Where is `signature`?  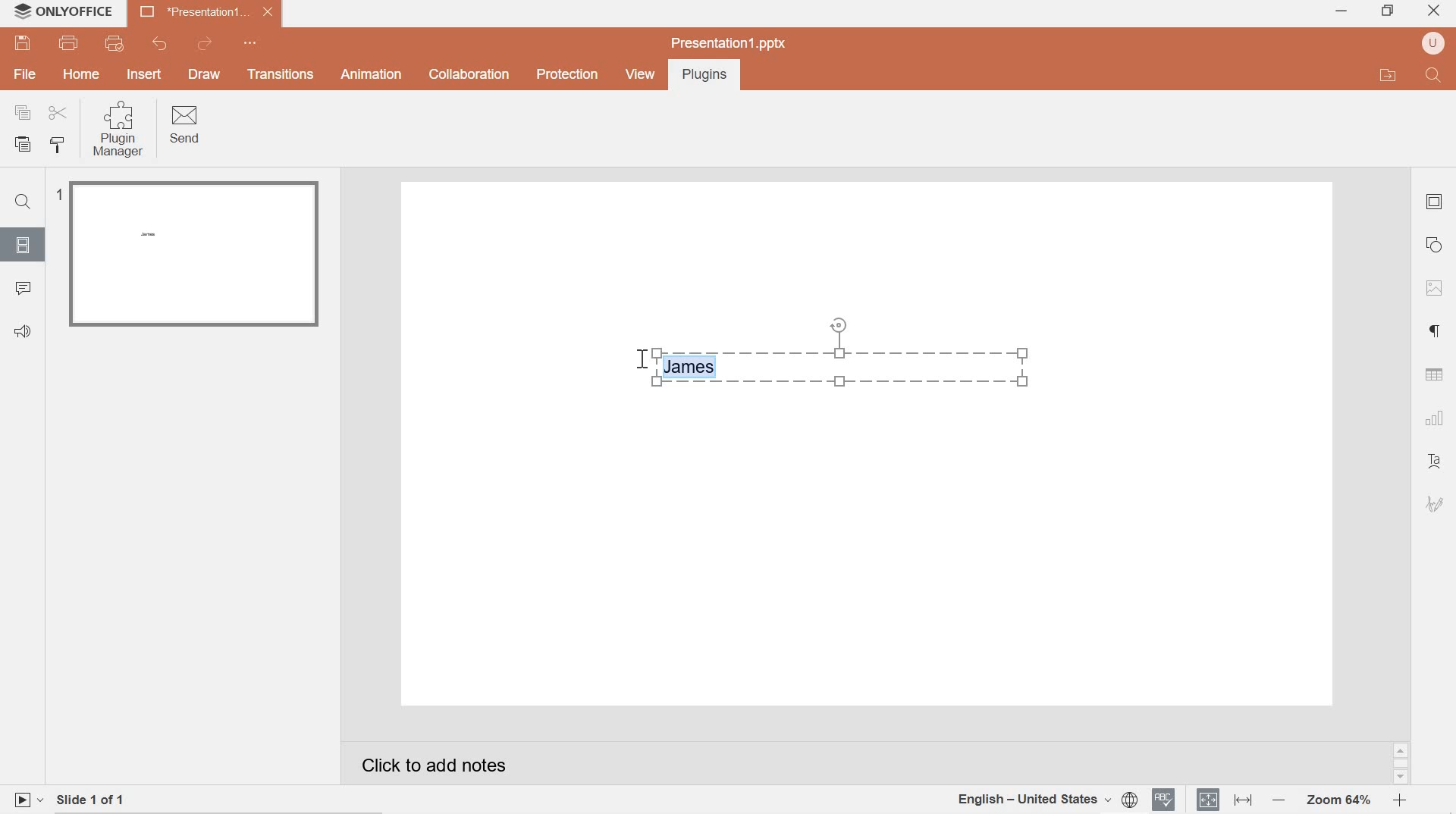 signature is located at coordinates (1436, 504).